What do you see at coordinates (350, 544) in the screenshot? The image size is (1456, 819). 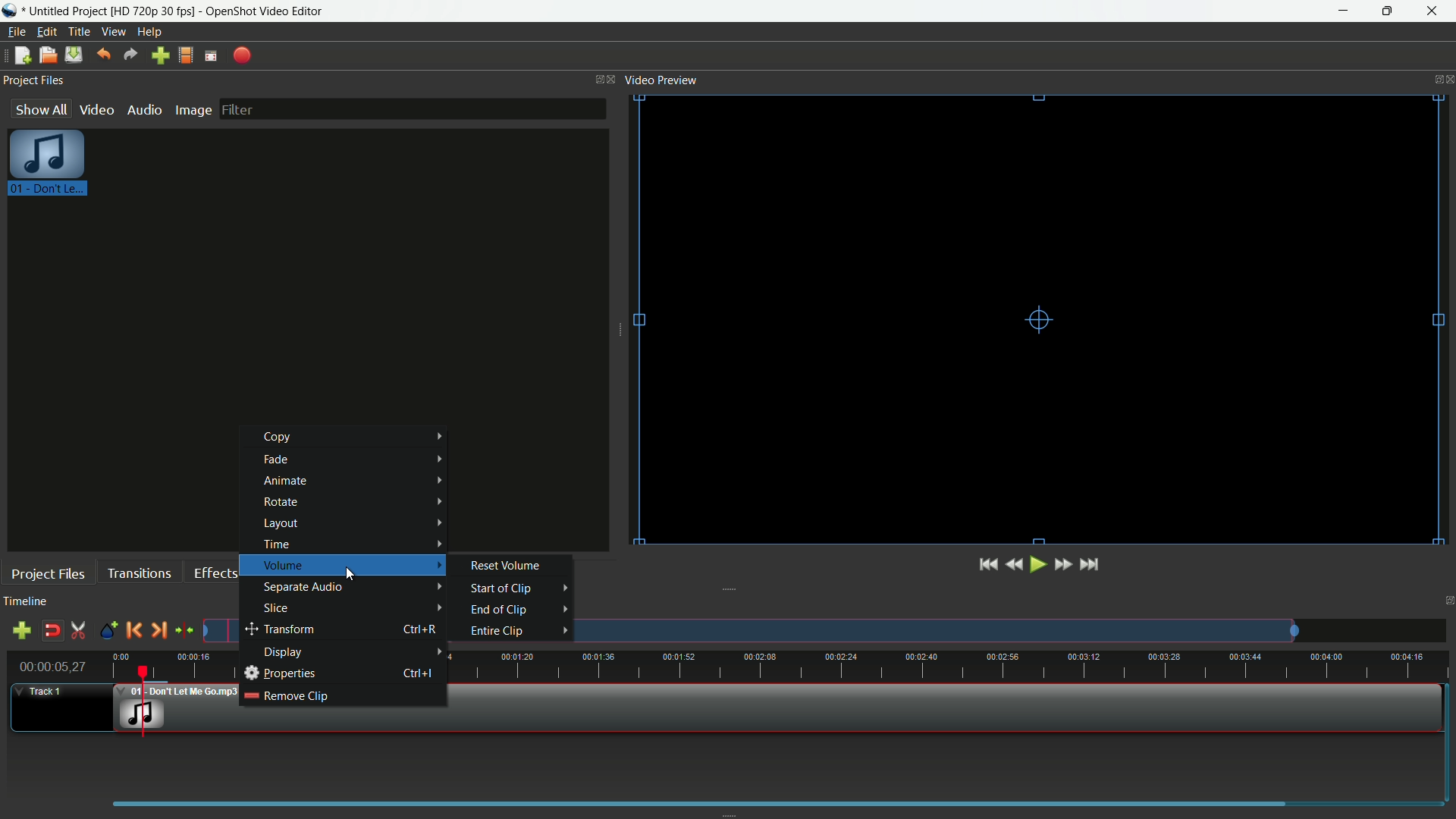 I see `time` at bounding box center [350, 544].